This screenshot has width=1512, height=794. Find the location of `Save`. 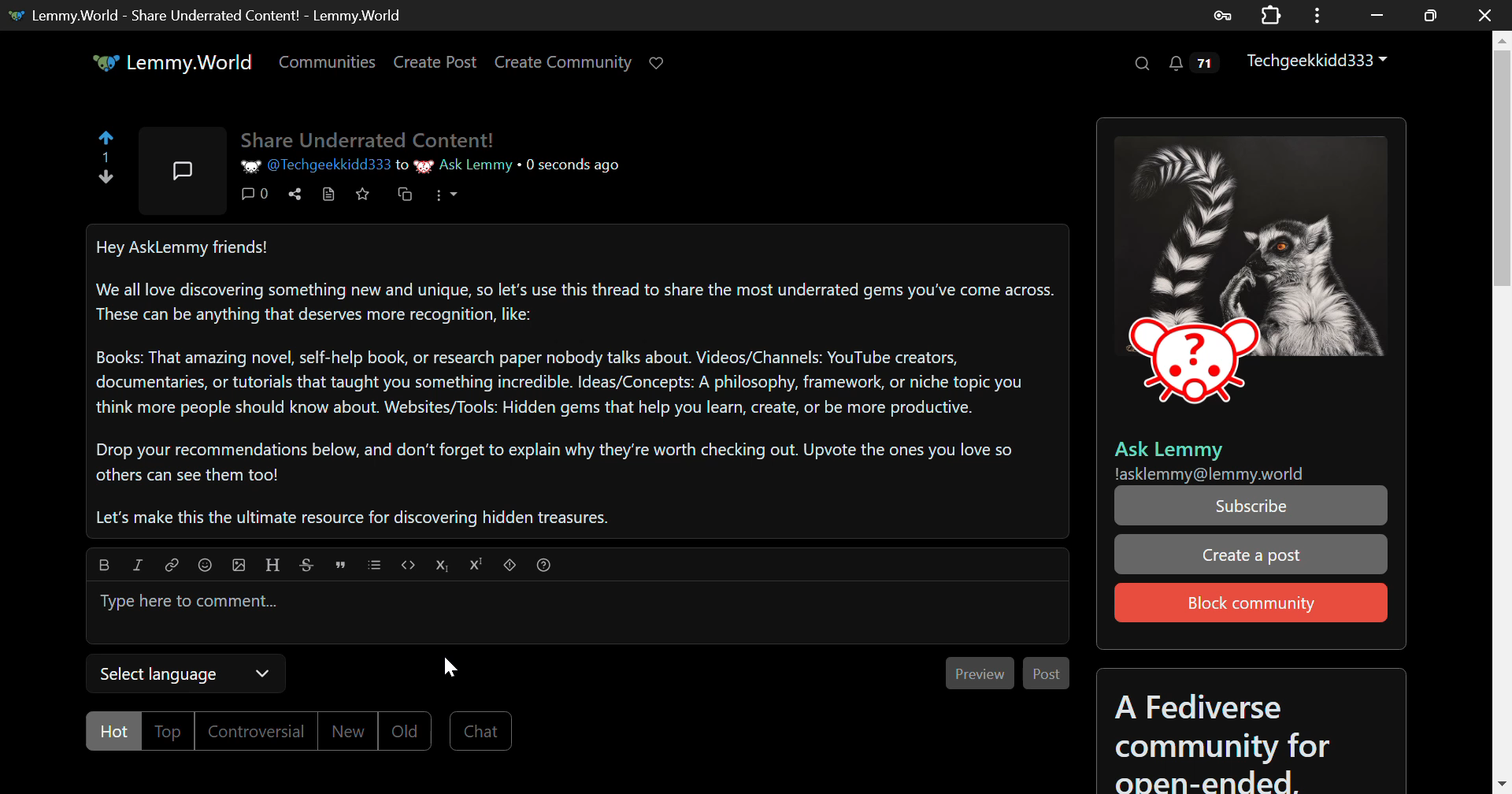

Save is located at coordinates (362, 198).